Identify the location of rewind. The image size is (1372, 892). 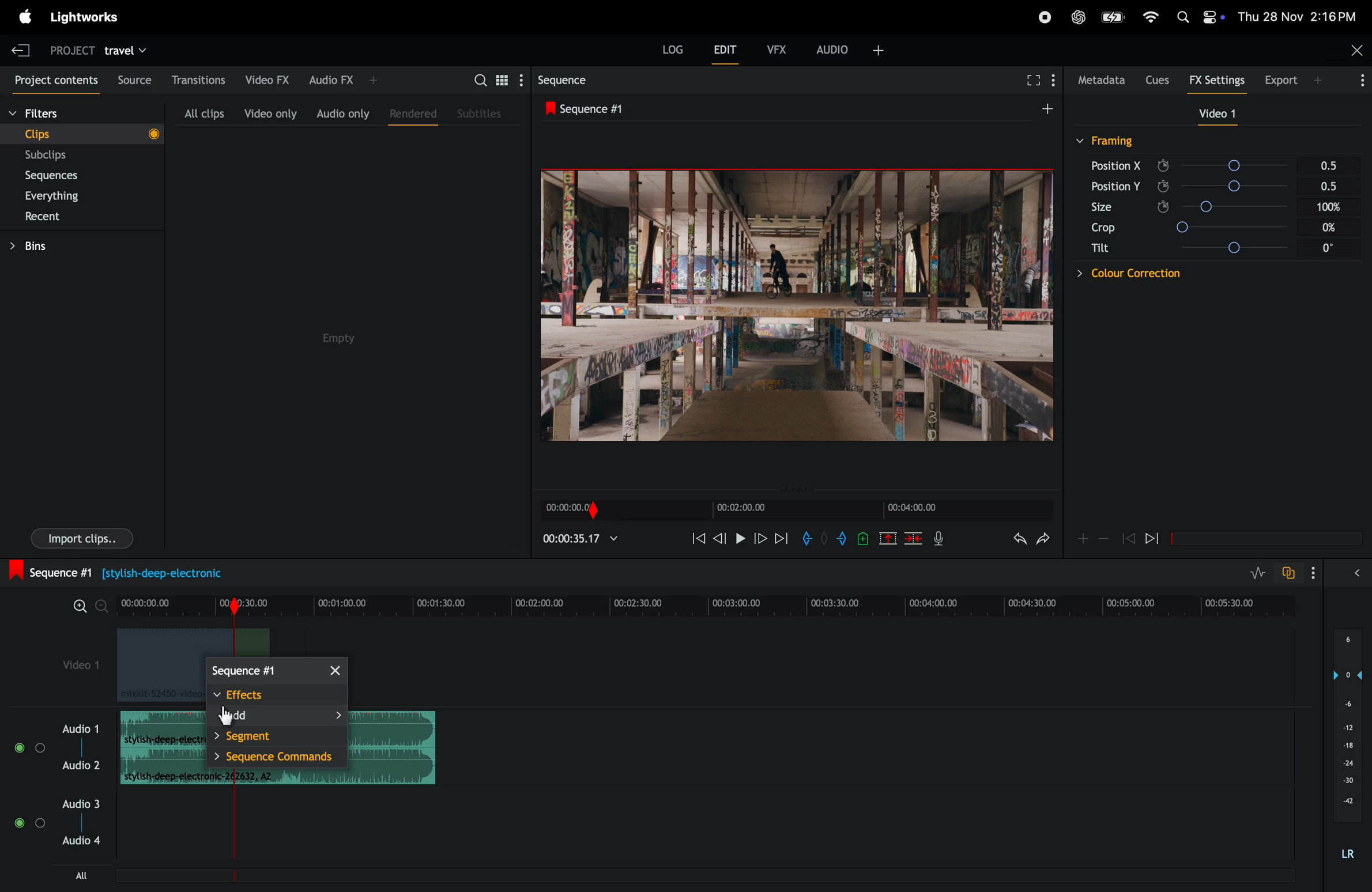
(694, 539).